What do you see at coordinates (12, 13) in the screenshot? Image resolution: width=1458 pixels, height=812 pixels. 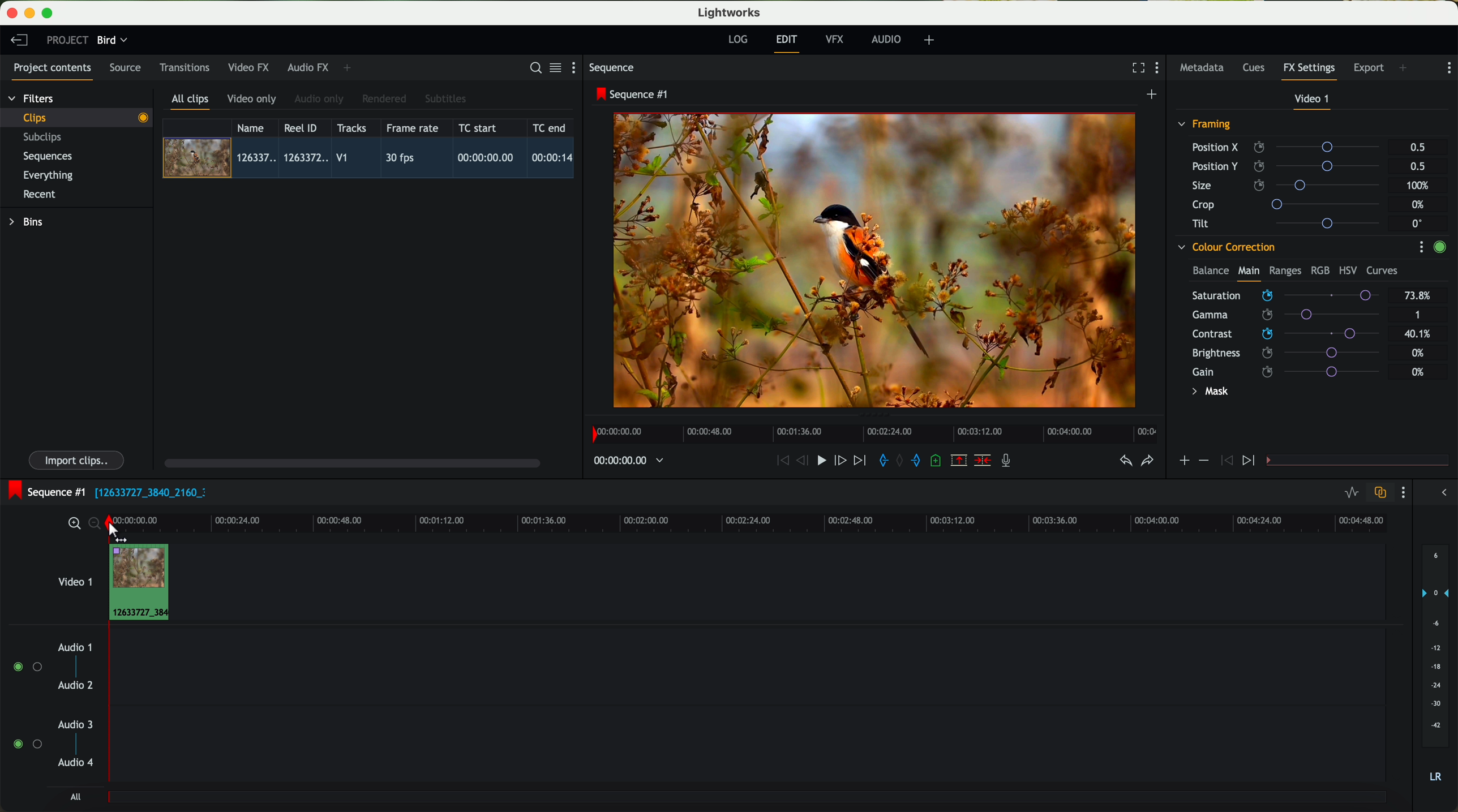 I see `close program` at bounding box center [12, 13].